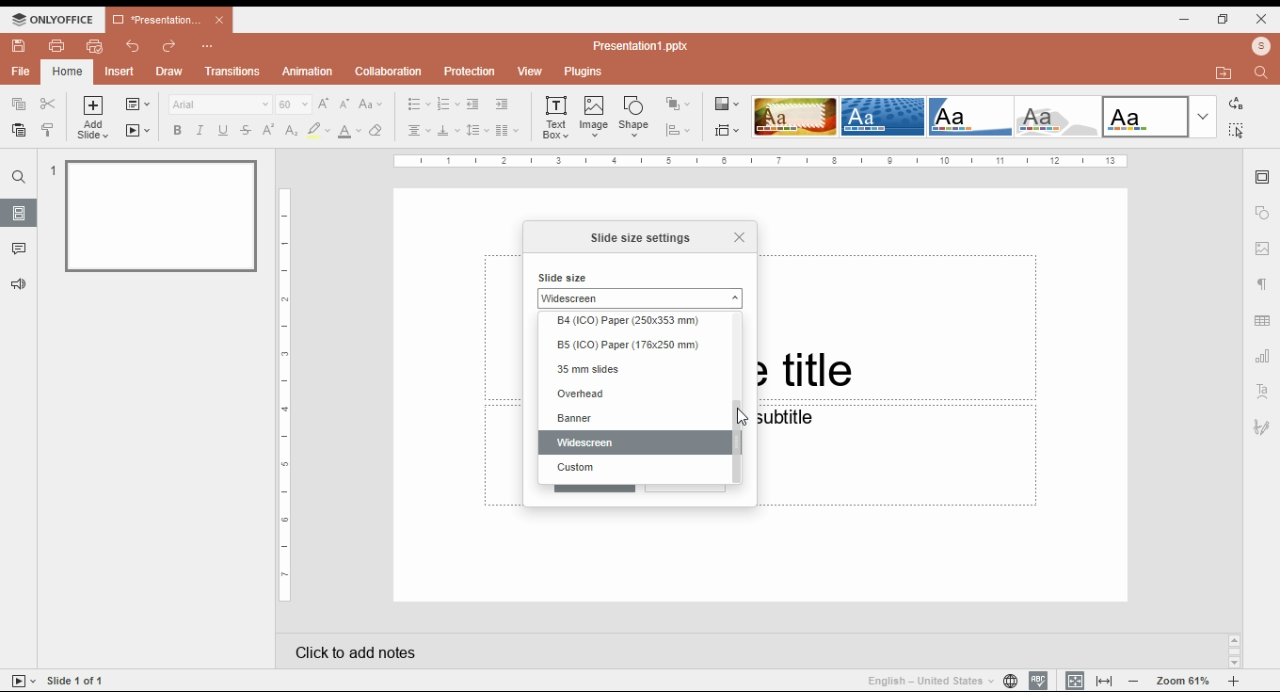 Image resolution: width=1280 pixels, height=692 pixels. I want to click on click add notes, so click(352, 648).